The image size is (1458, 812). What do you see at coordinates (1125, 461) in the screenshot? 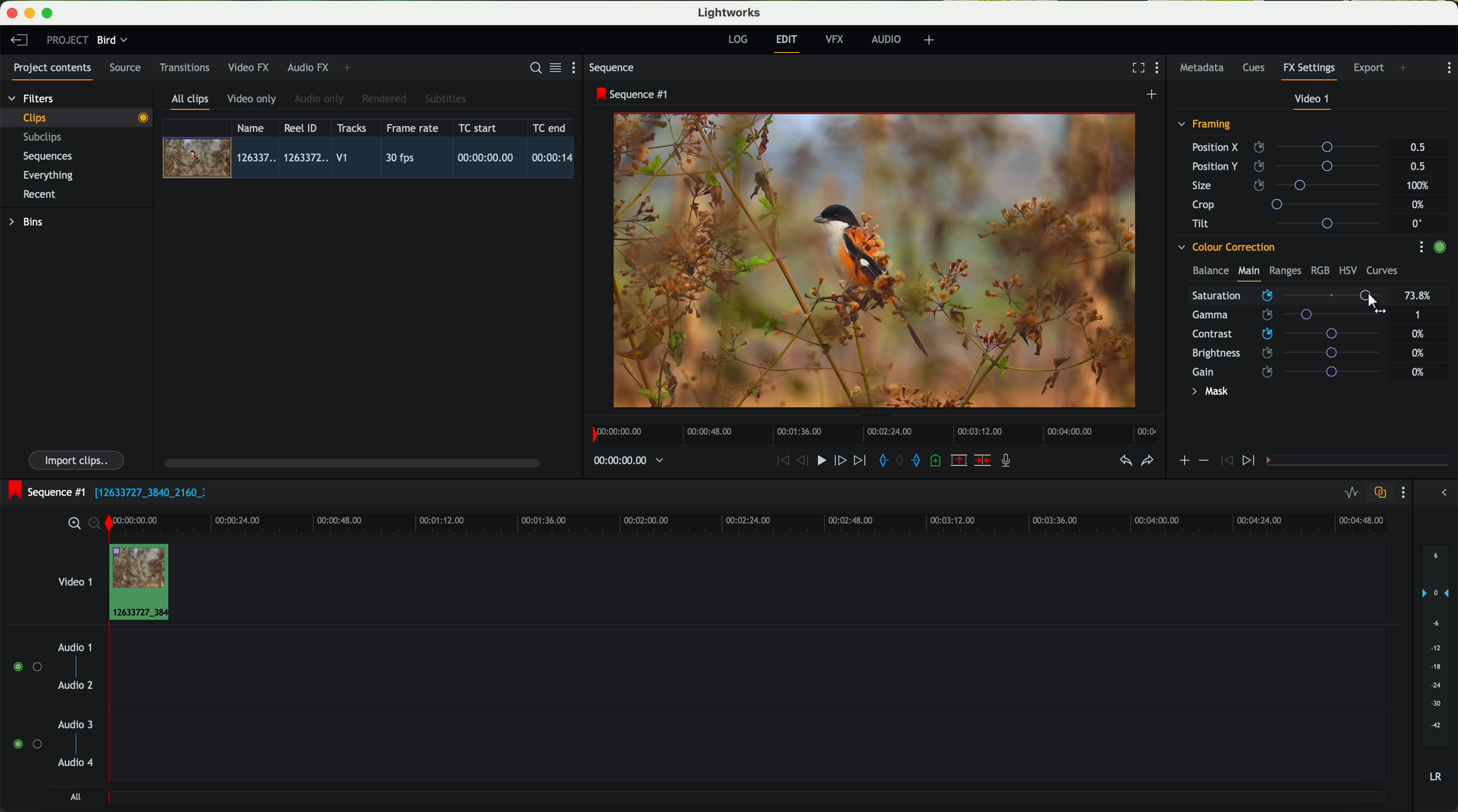
I see `undo` at bounding box center [1125, 461].